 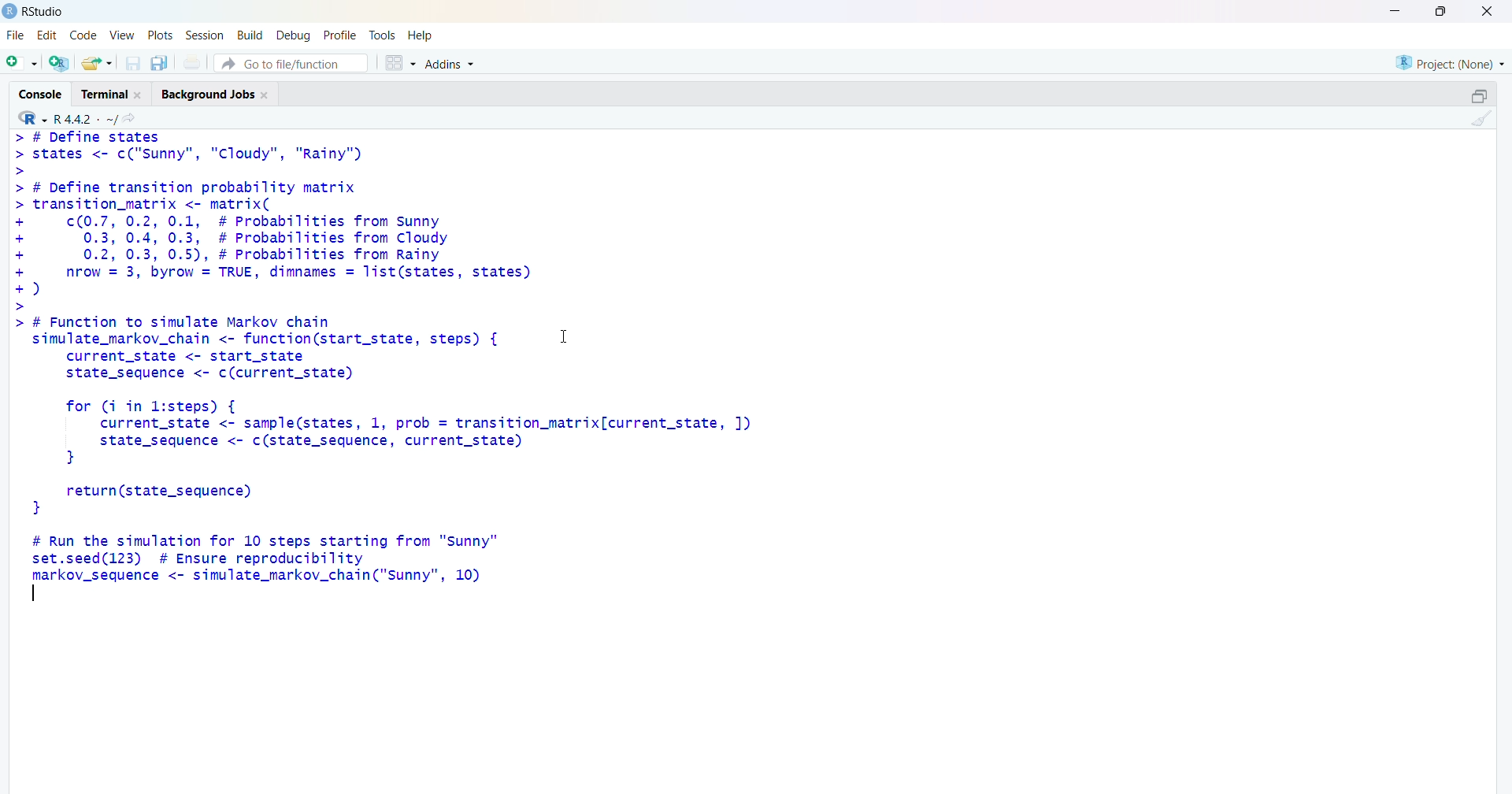 What do you see at coordinates (158, 64) in the screenshot?
I see `save all open document` at bounding box center [158, 64].